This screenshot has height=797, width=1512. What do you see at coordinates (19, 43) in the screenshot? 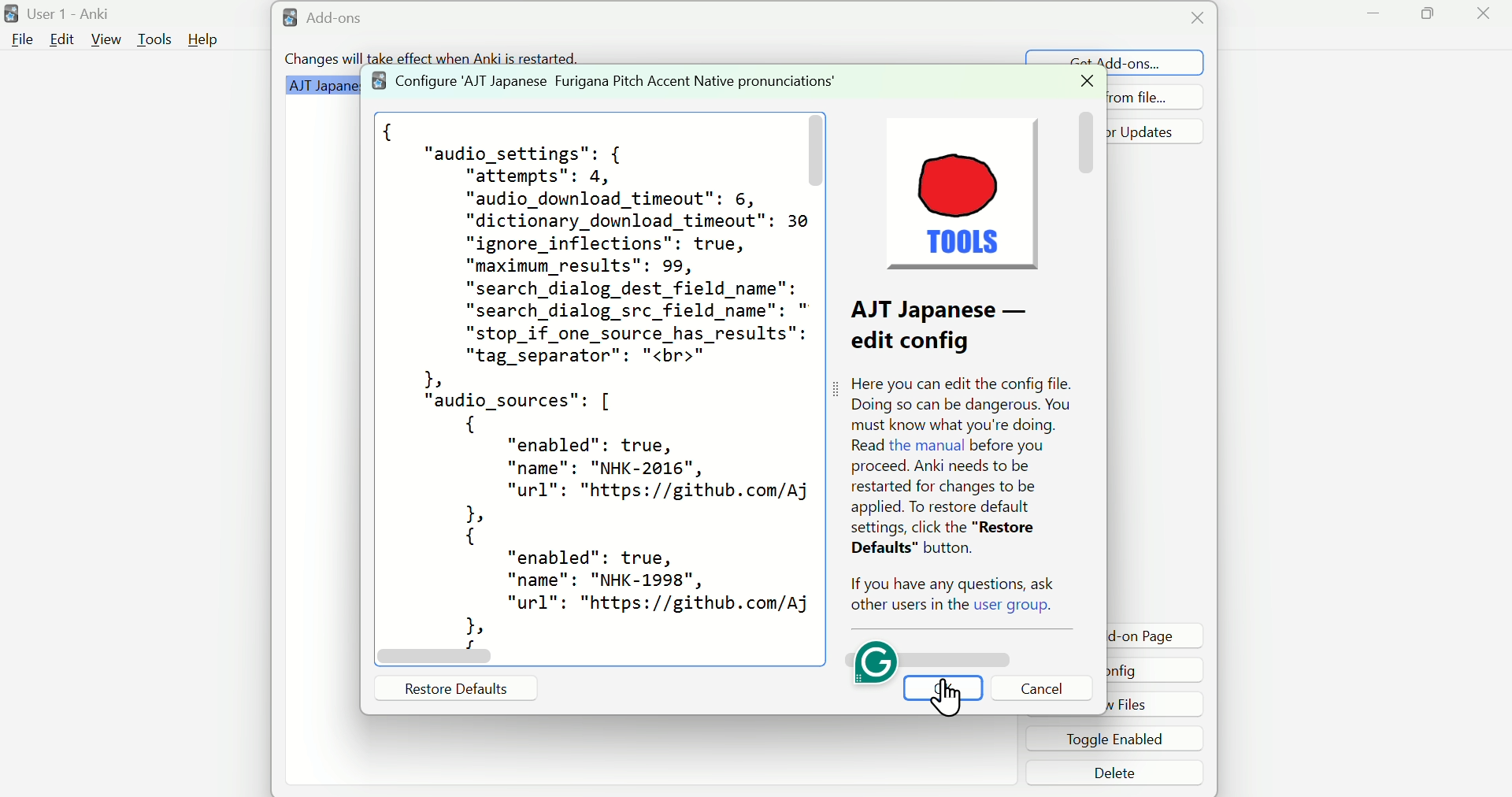
I see `File` at bounding box center [19, 43].